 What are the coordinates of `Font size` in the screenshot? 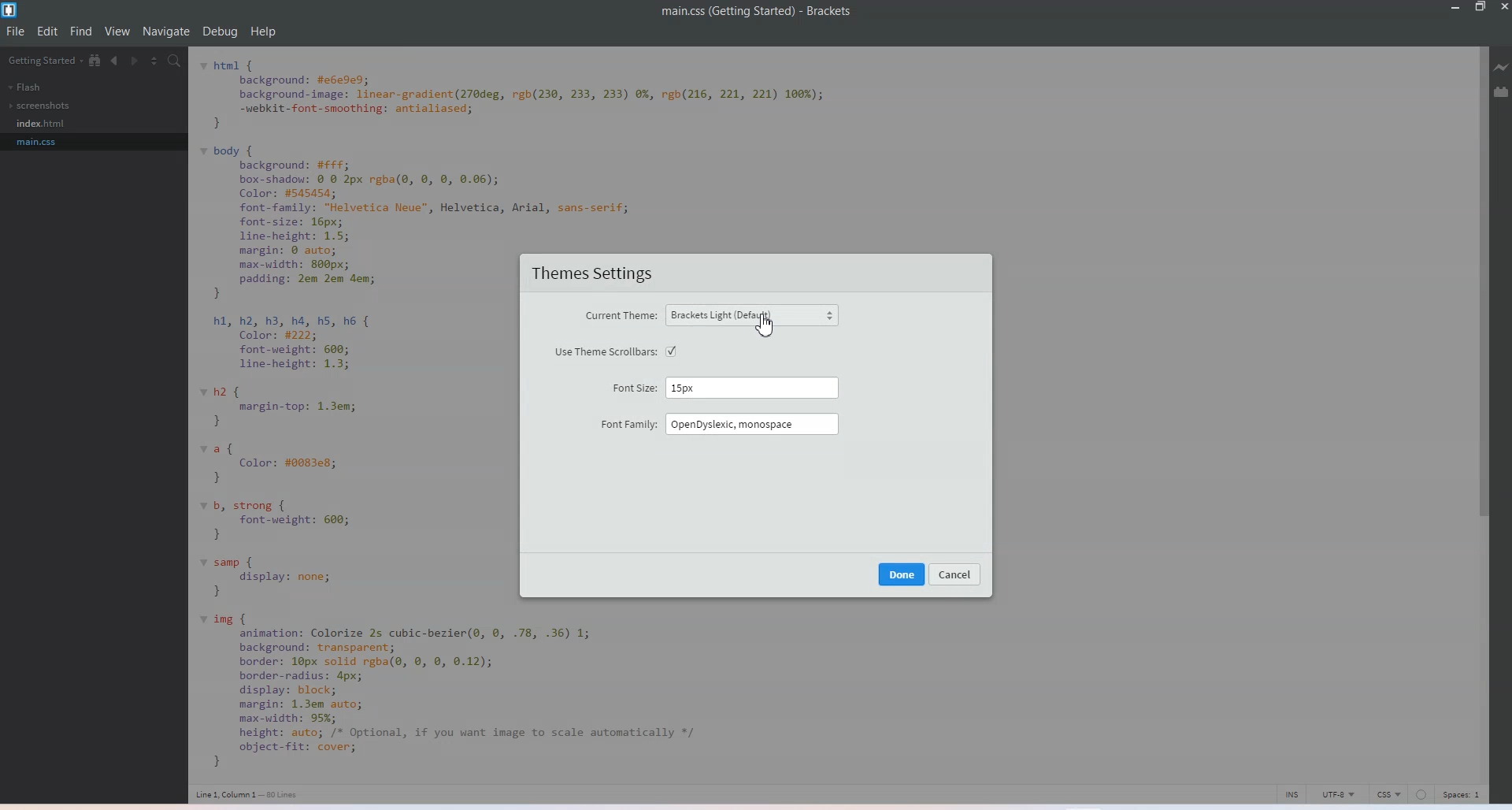 It's located at (634, 388).